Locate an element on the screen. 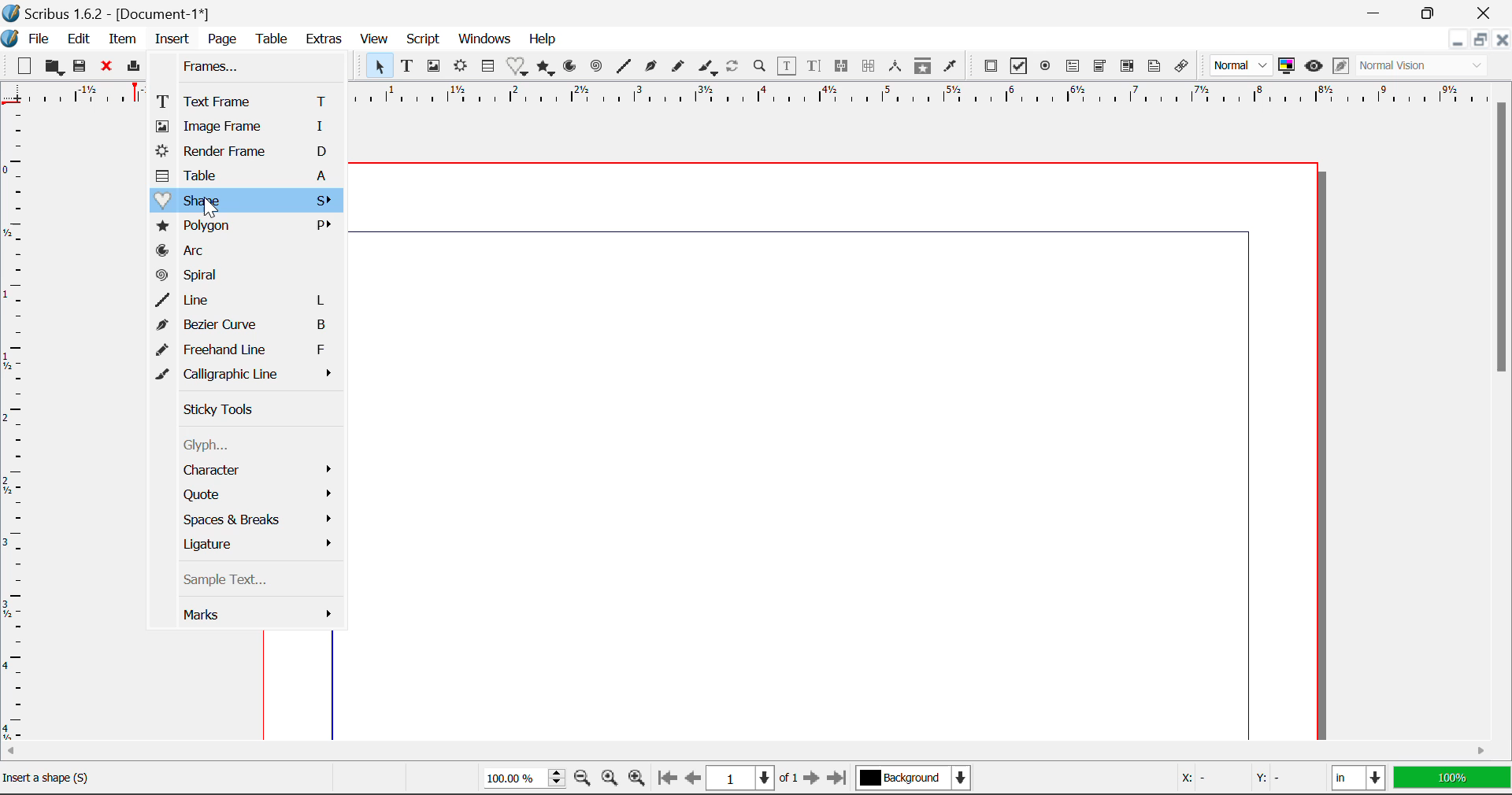 This screenshot has height=795, width=1512. Windows is located at coordinates (485, 39).